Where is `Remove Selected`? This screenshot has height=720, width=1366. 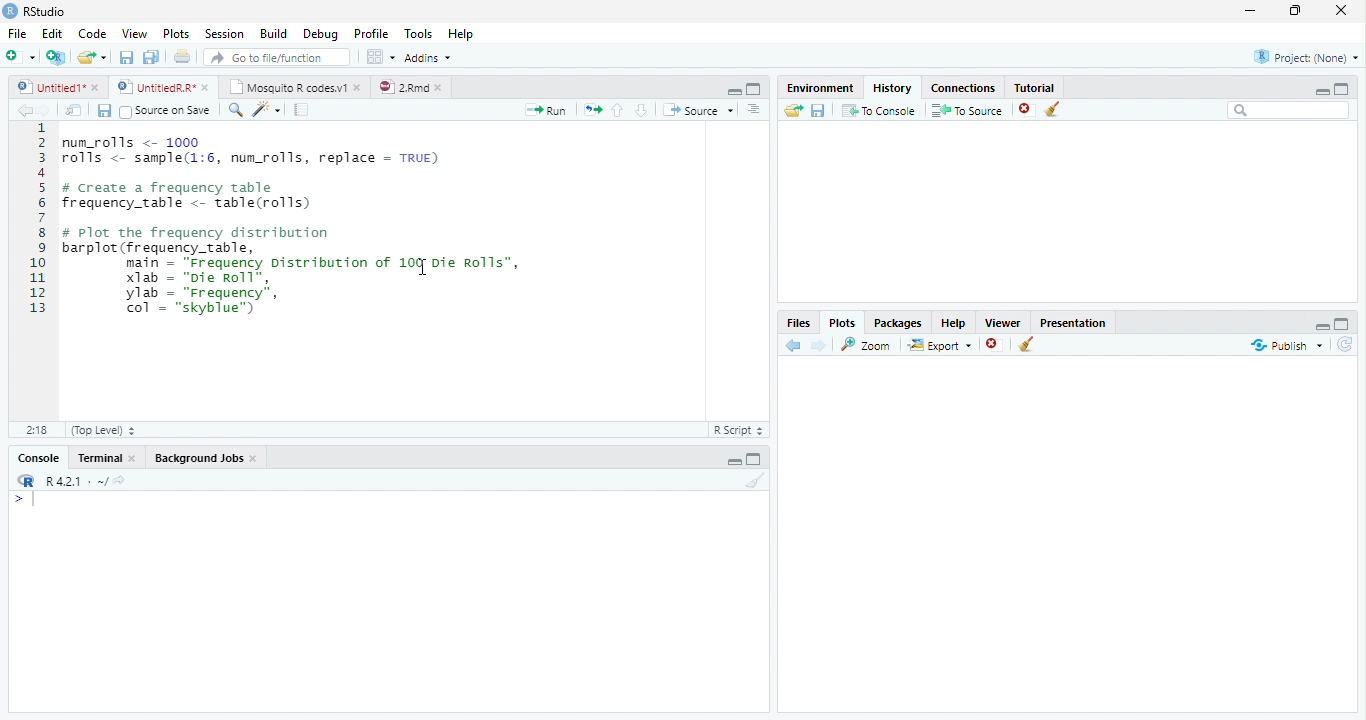
Remove Selected is located at coordinates (995, 346).